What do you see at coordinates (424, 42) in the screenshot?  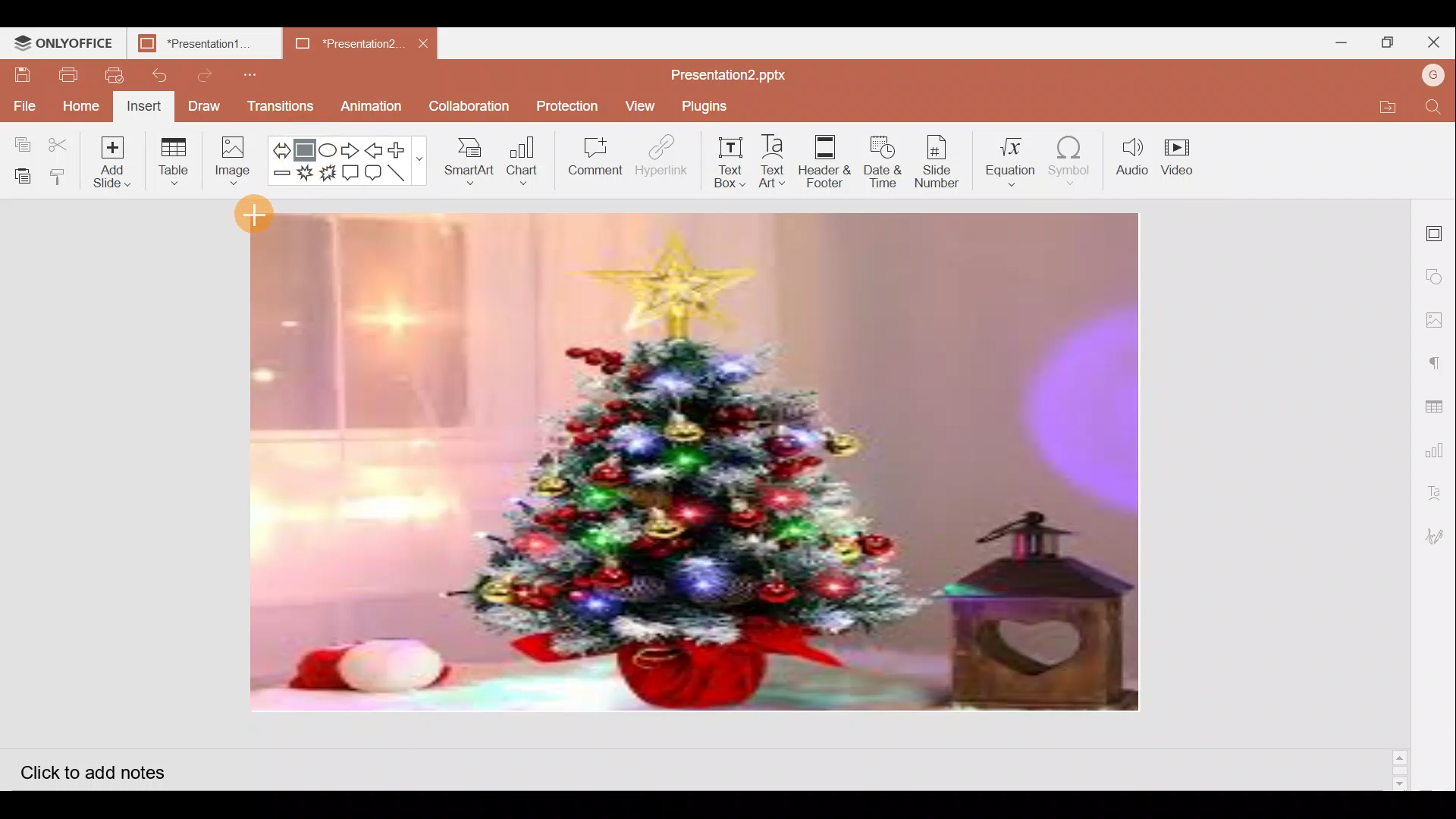 I see `Close document` at bounding box center [424, 42].